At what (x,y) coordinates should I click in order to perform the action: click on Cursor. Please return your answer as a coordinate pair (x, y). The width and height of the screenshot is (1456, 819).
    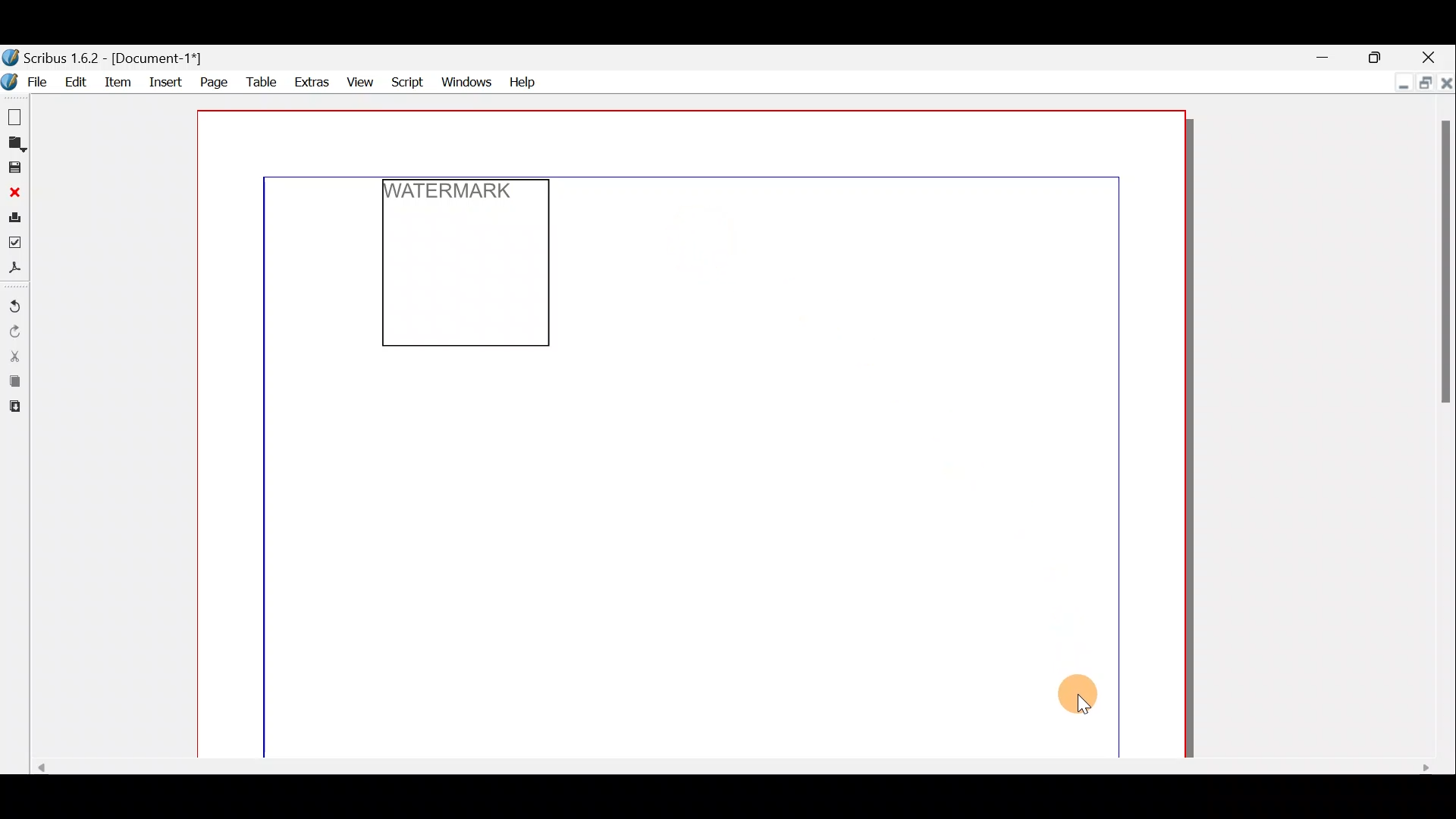
    Looking at the image, I should click on (1086, 705).